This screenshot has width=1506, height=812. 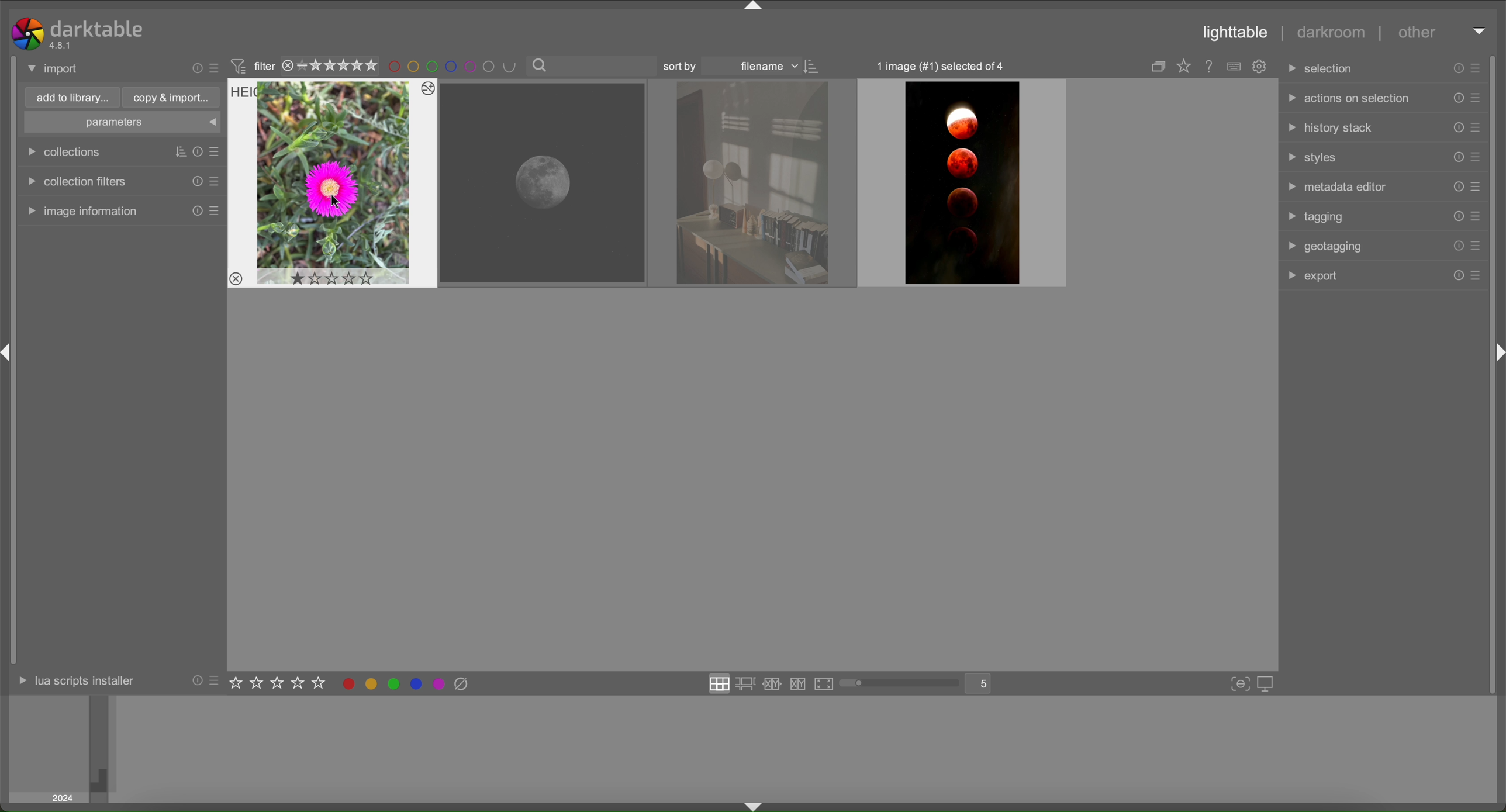 What do you see at coordinates (331, 65) in the screenshot?
I see `rating` at bounding box center [331, 65].